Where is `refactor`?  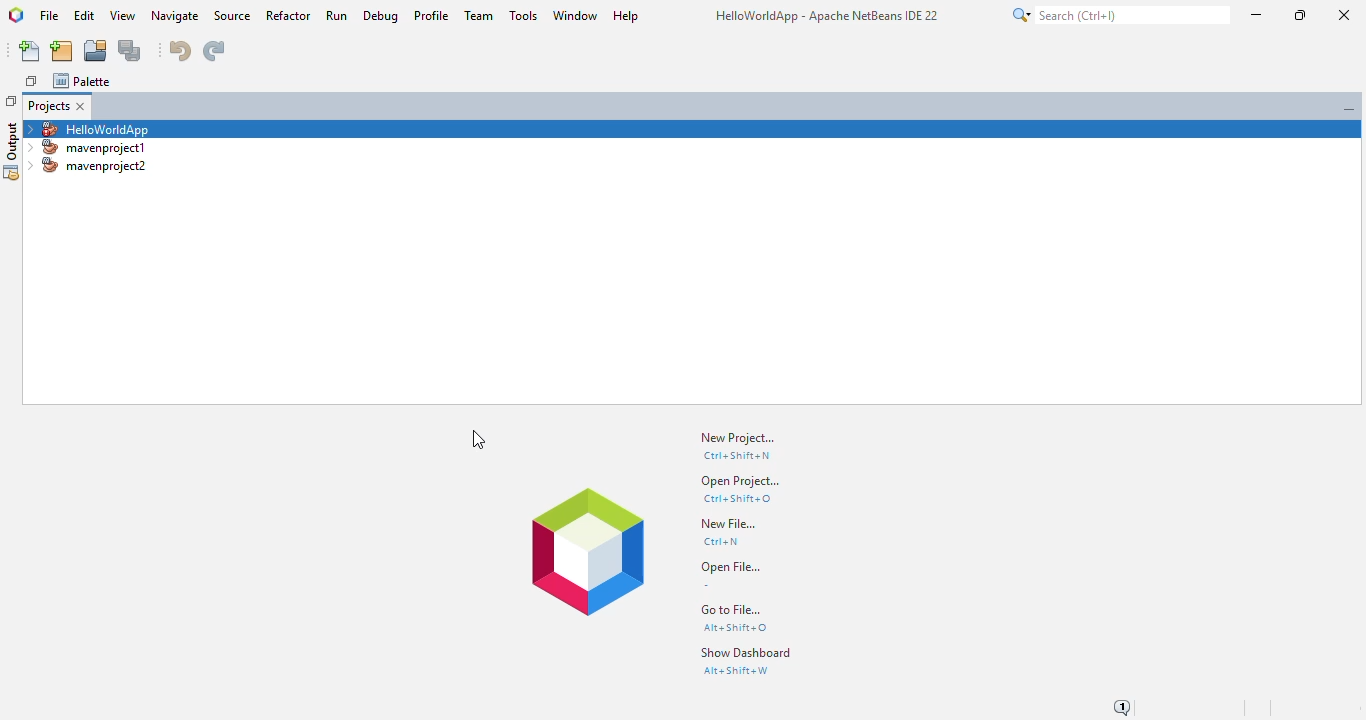
refactor is located at coordinates (289, 16).